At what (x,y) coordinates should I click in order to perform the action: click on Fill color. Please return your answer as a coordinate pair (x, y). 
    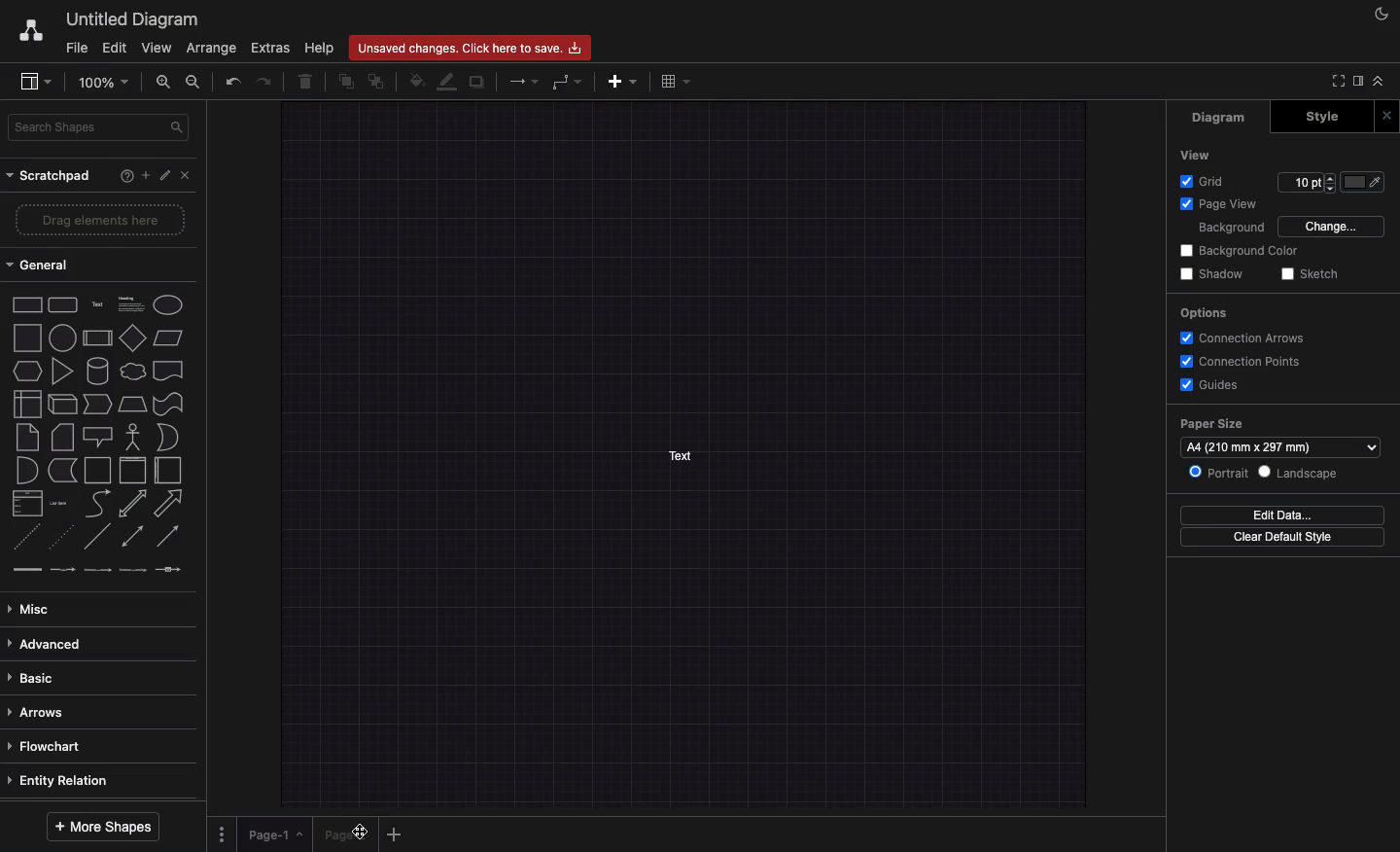
    Looking at the image, I should click on (1368, 182).